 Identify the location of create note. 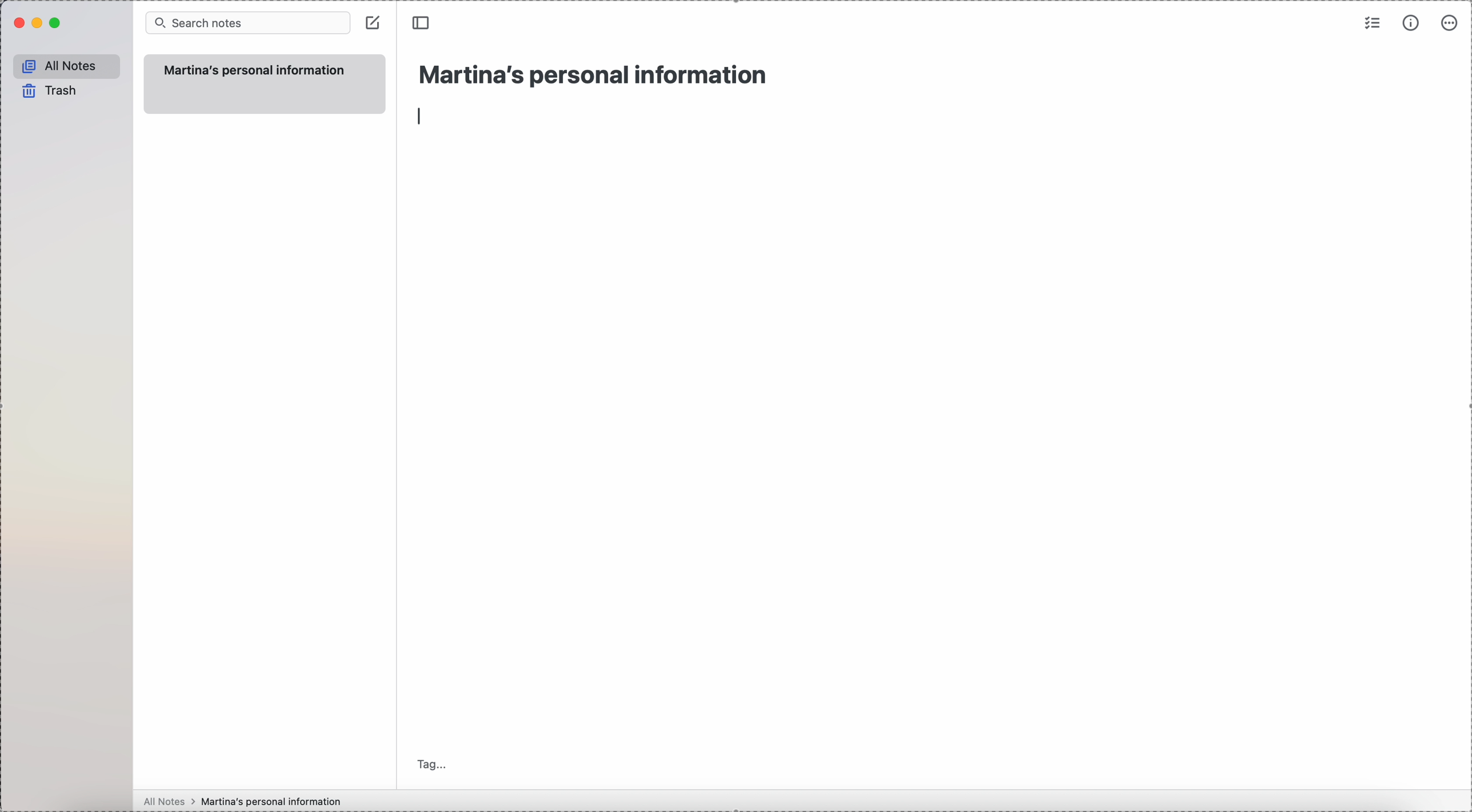
(374, 23).